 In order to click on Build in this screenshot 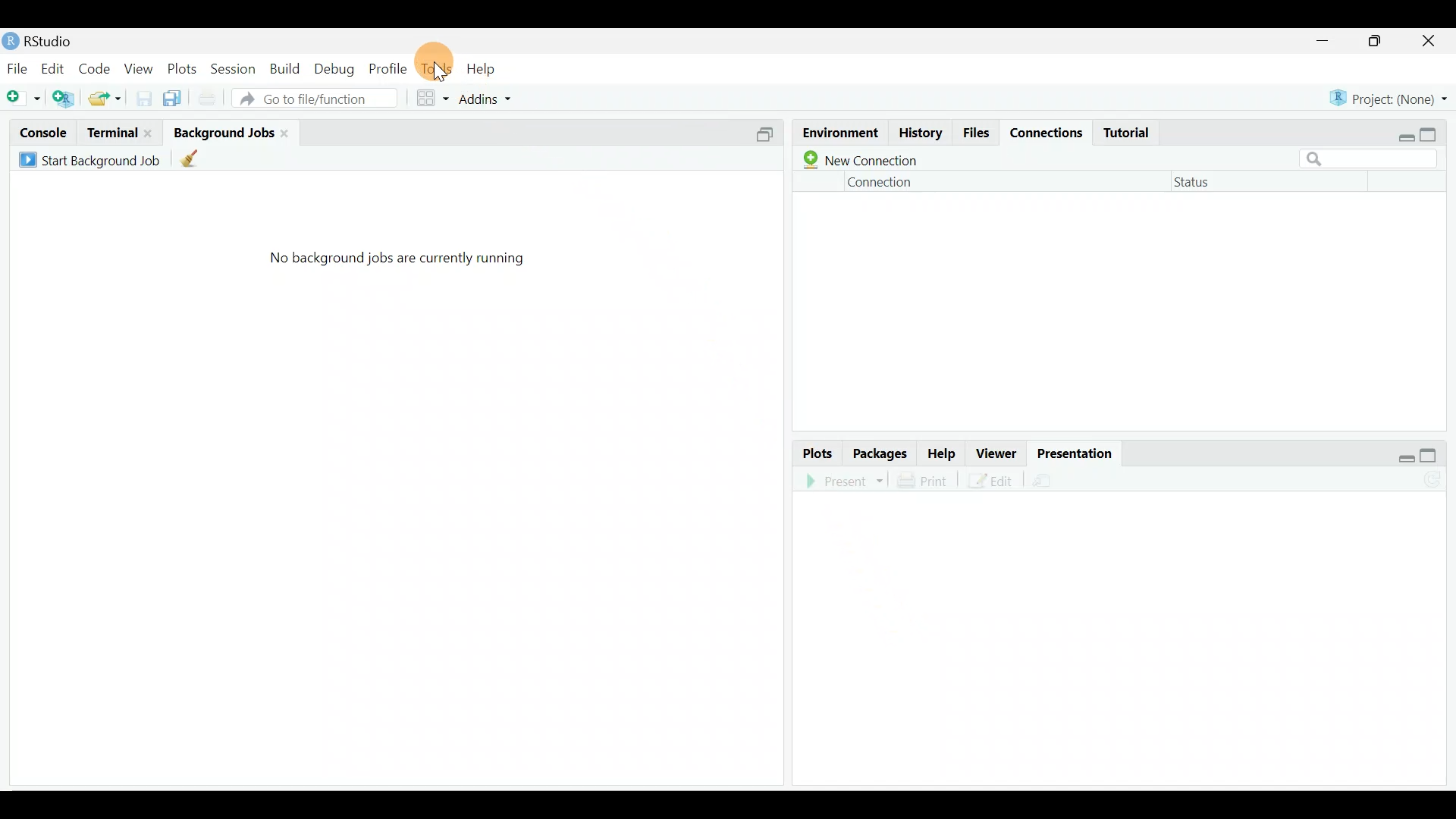, I will do `click(287, 69)`.